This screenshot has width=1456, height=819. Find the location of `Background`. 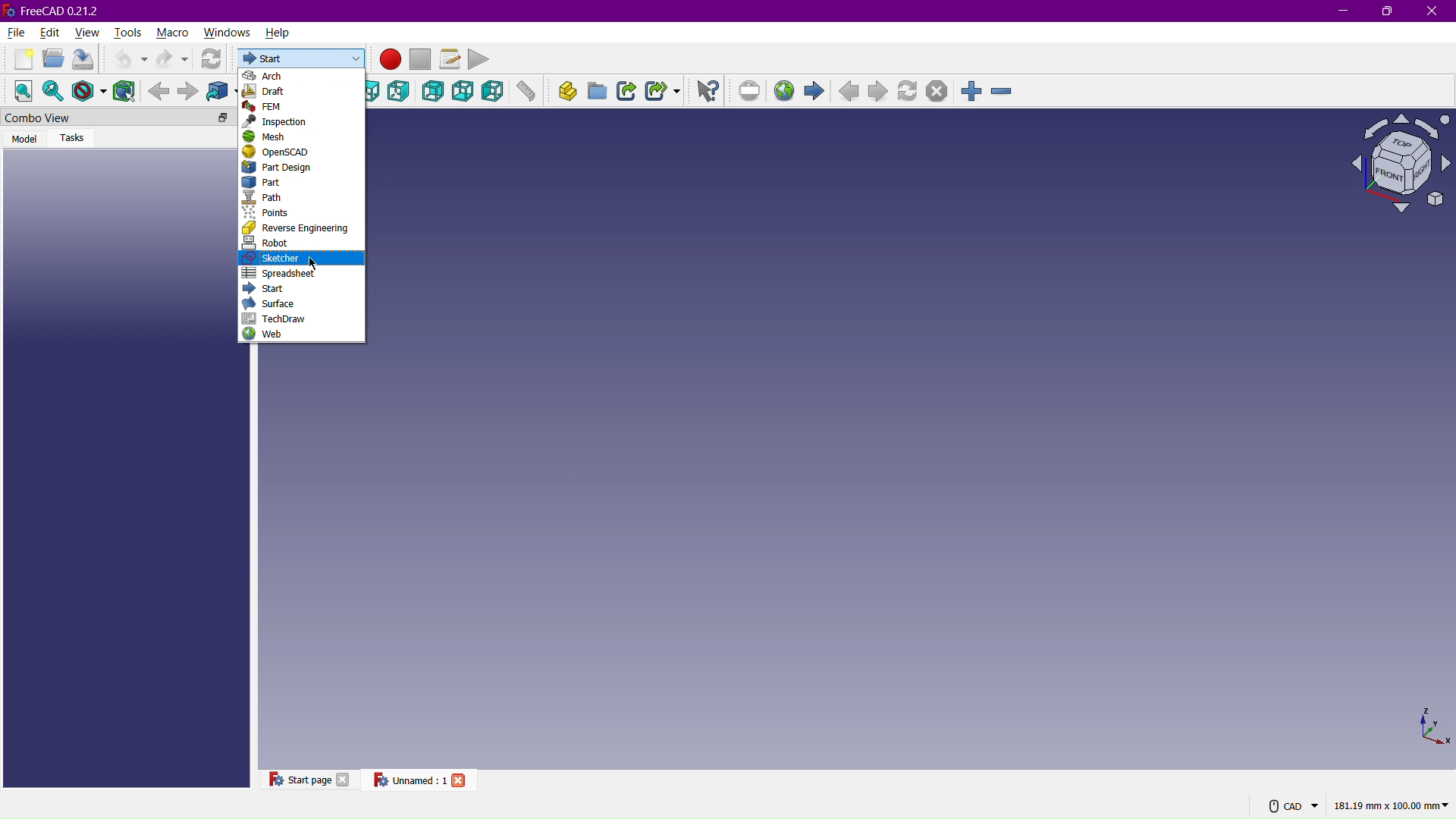

Background is located at coordinates (158, 89).